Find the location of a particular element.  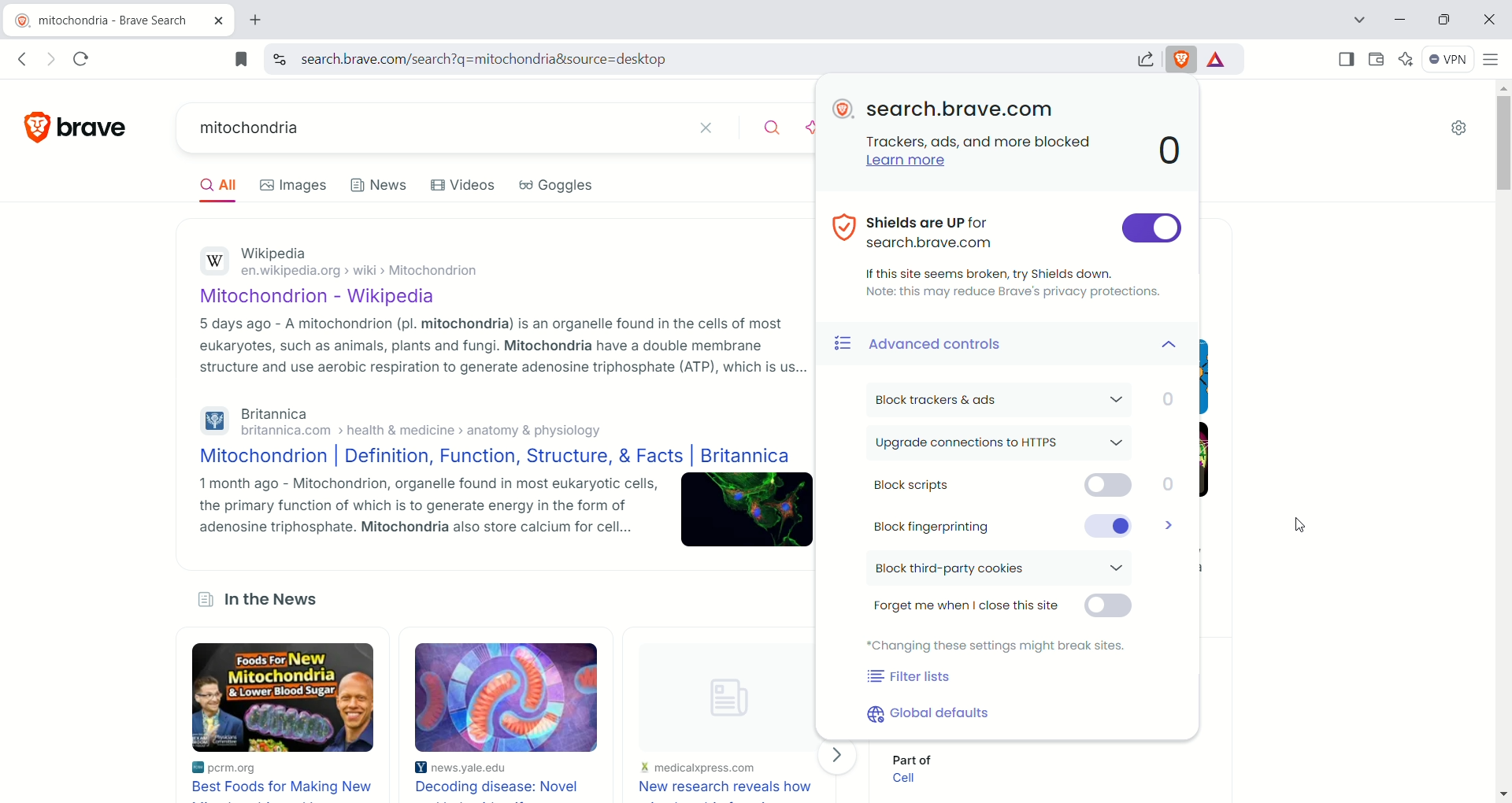

news.yale.edu is located at coordinates (471, 768).